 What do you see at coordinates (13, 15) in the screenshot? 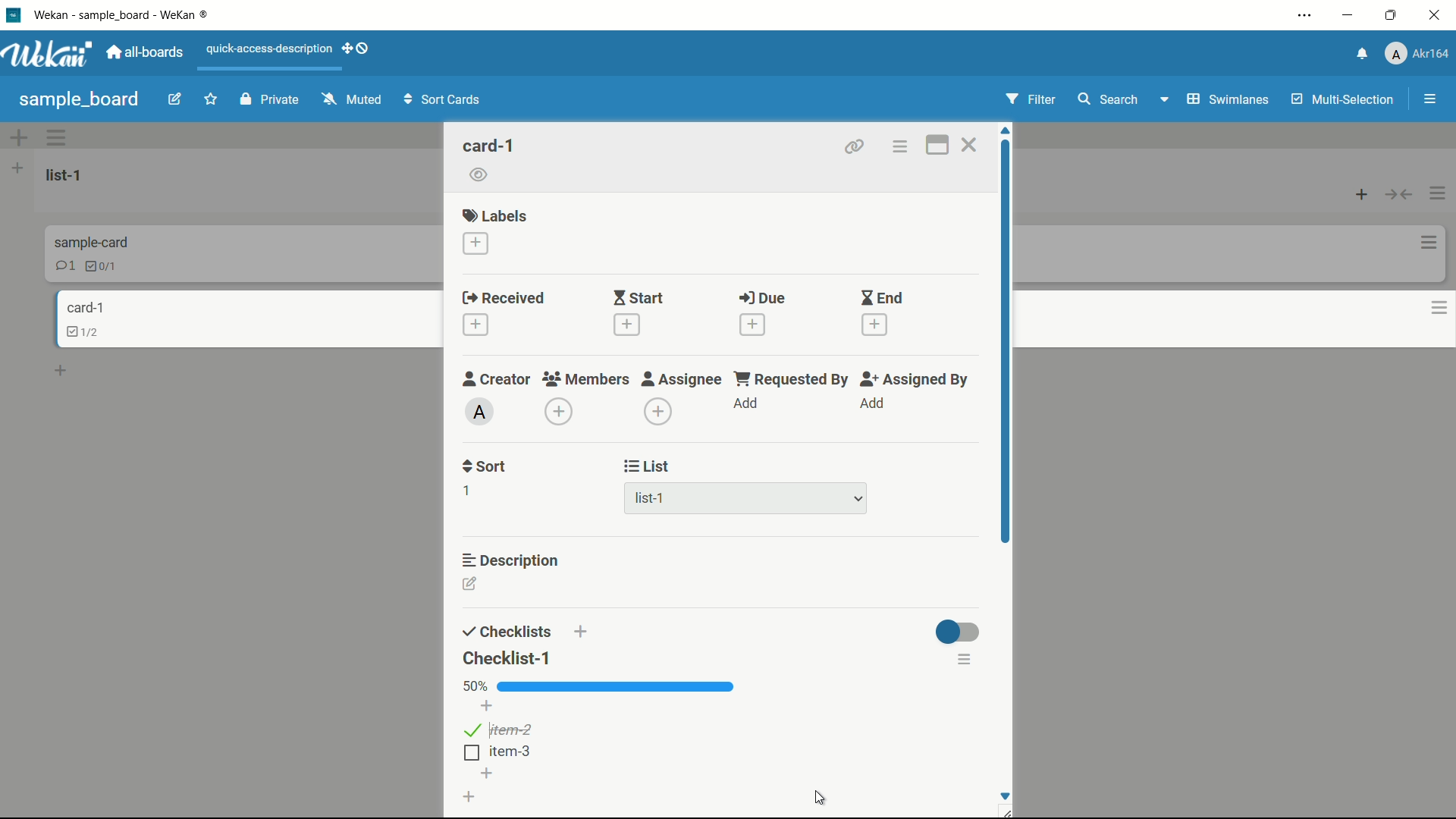
I see `Wekan icon` at bounding box center [13, 15].